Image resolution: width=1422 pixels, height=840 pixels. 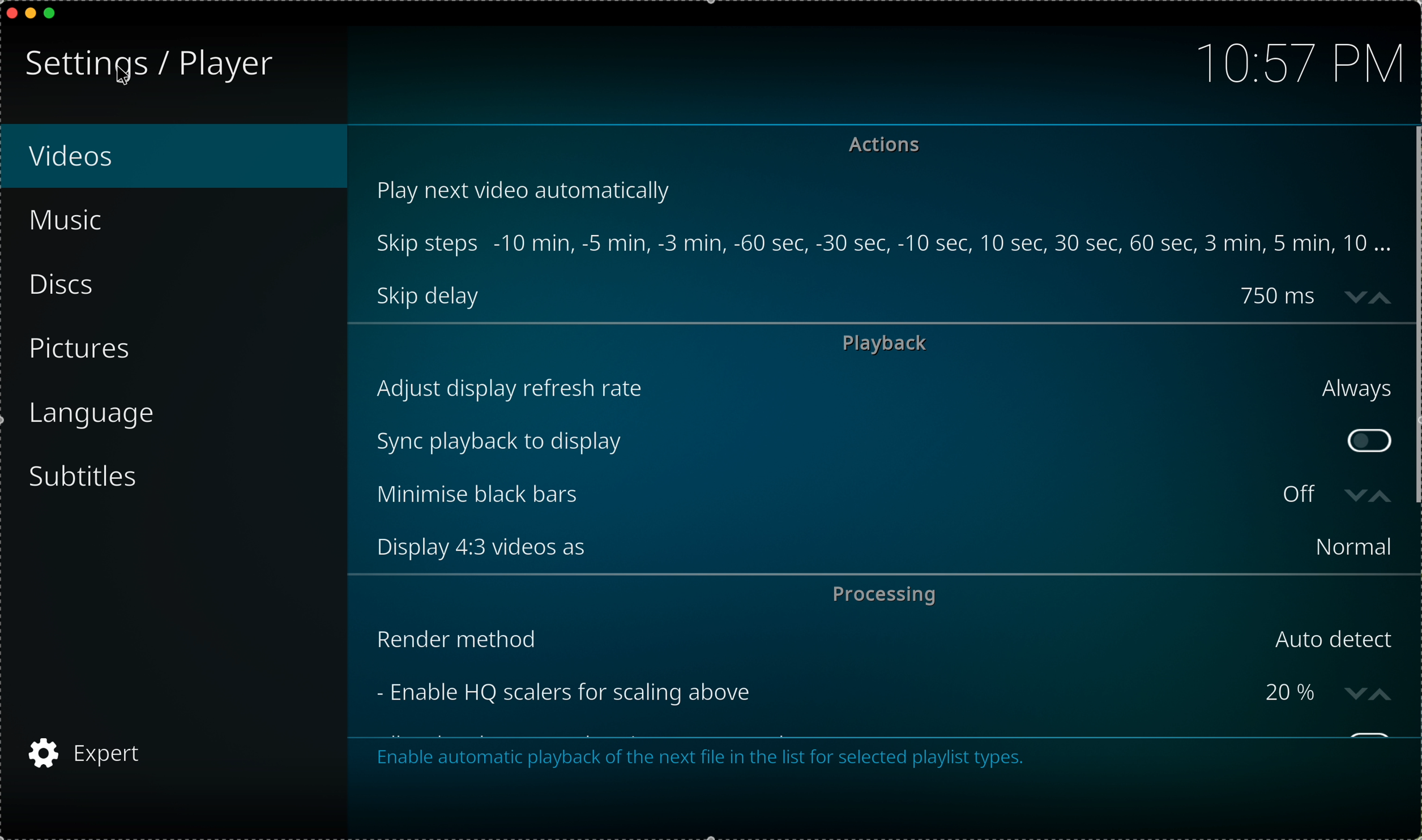 I want to click on language, so click(x=94, y=414).